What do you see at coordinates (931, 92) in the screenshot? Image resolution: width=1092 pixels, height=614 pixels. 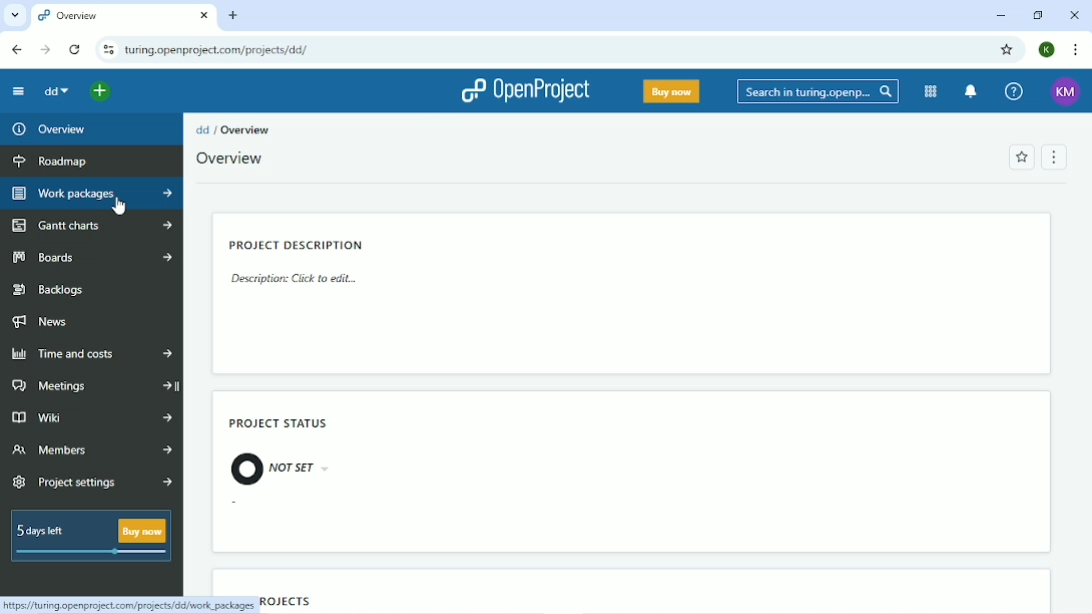 I see `Modules` at bounding box center [931, 92].